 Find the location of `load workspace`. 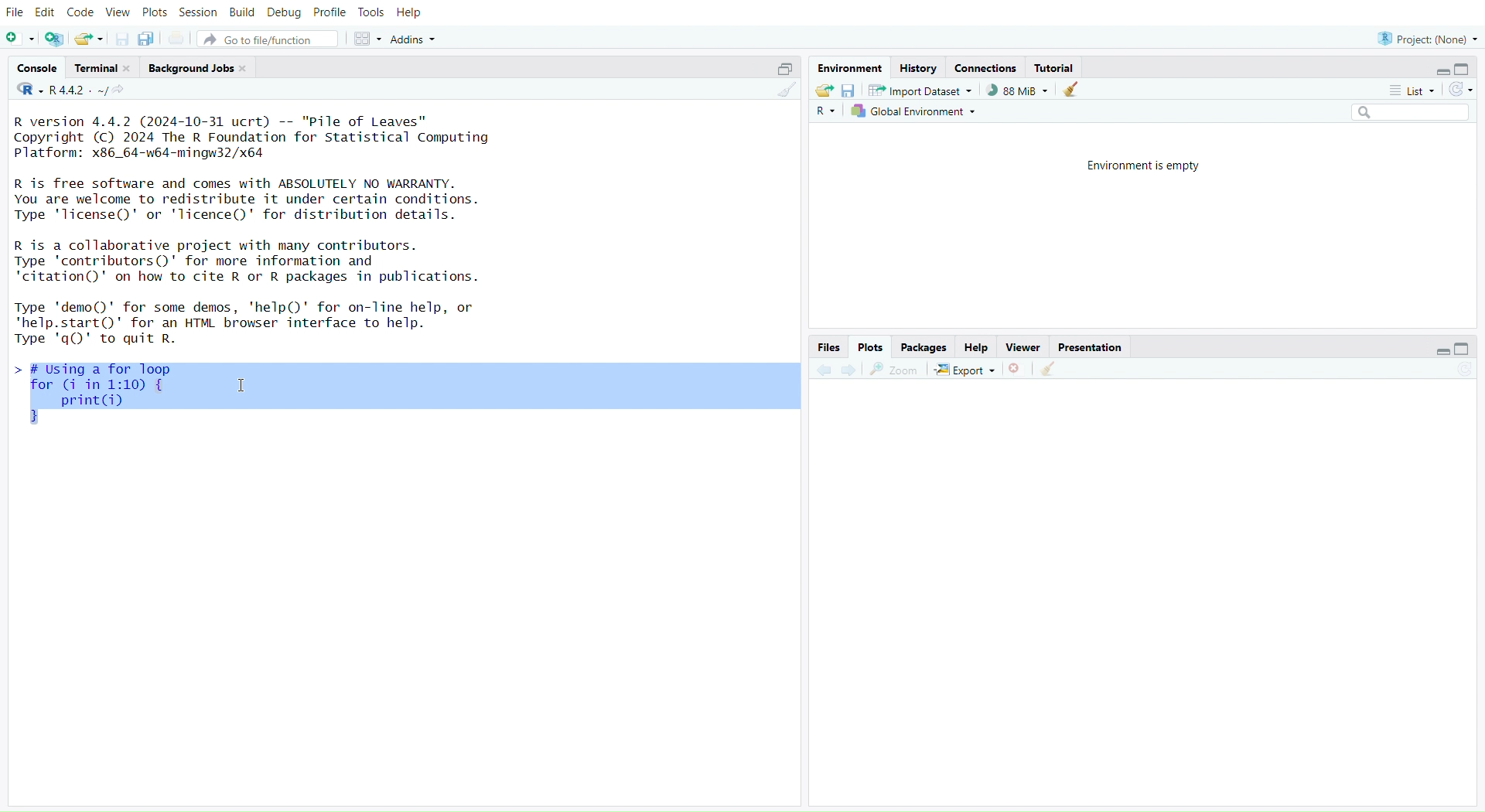

load workspace is located at coordinates (824, 92).